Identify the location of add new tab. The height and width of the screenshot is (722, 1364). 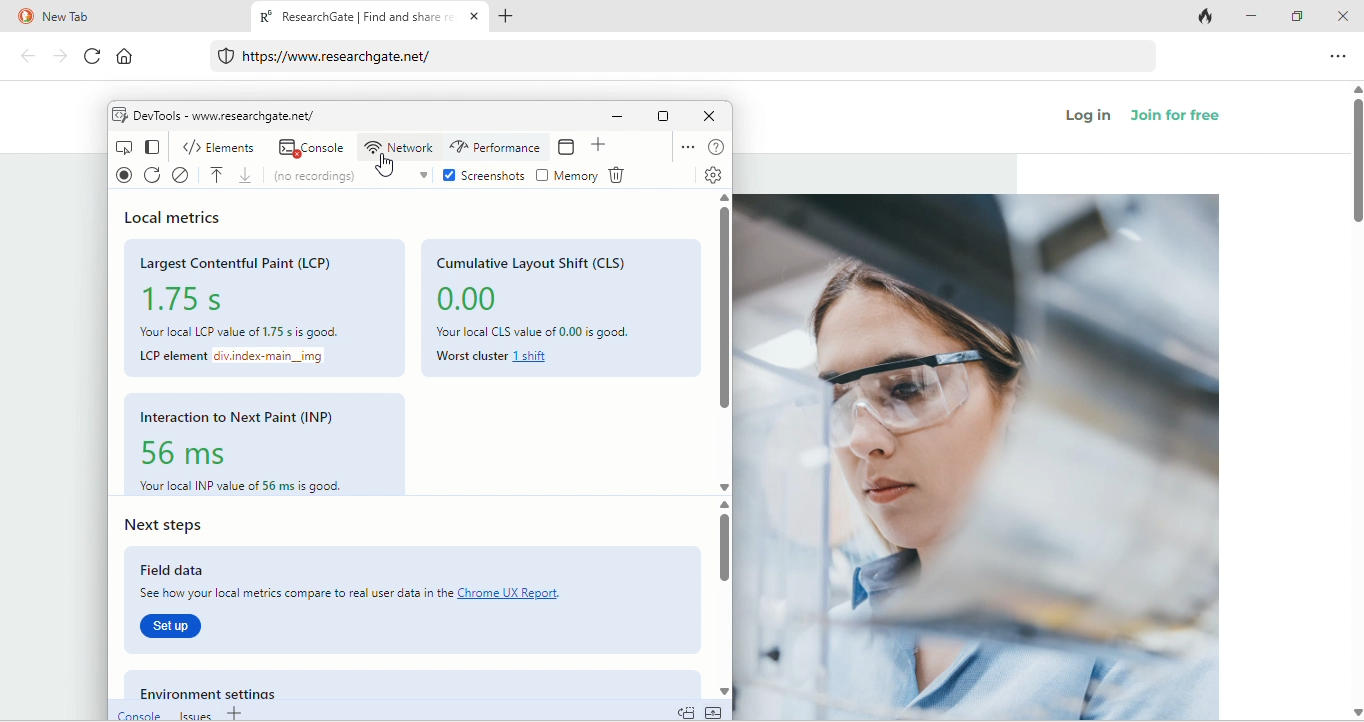
(516, 18).